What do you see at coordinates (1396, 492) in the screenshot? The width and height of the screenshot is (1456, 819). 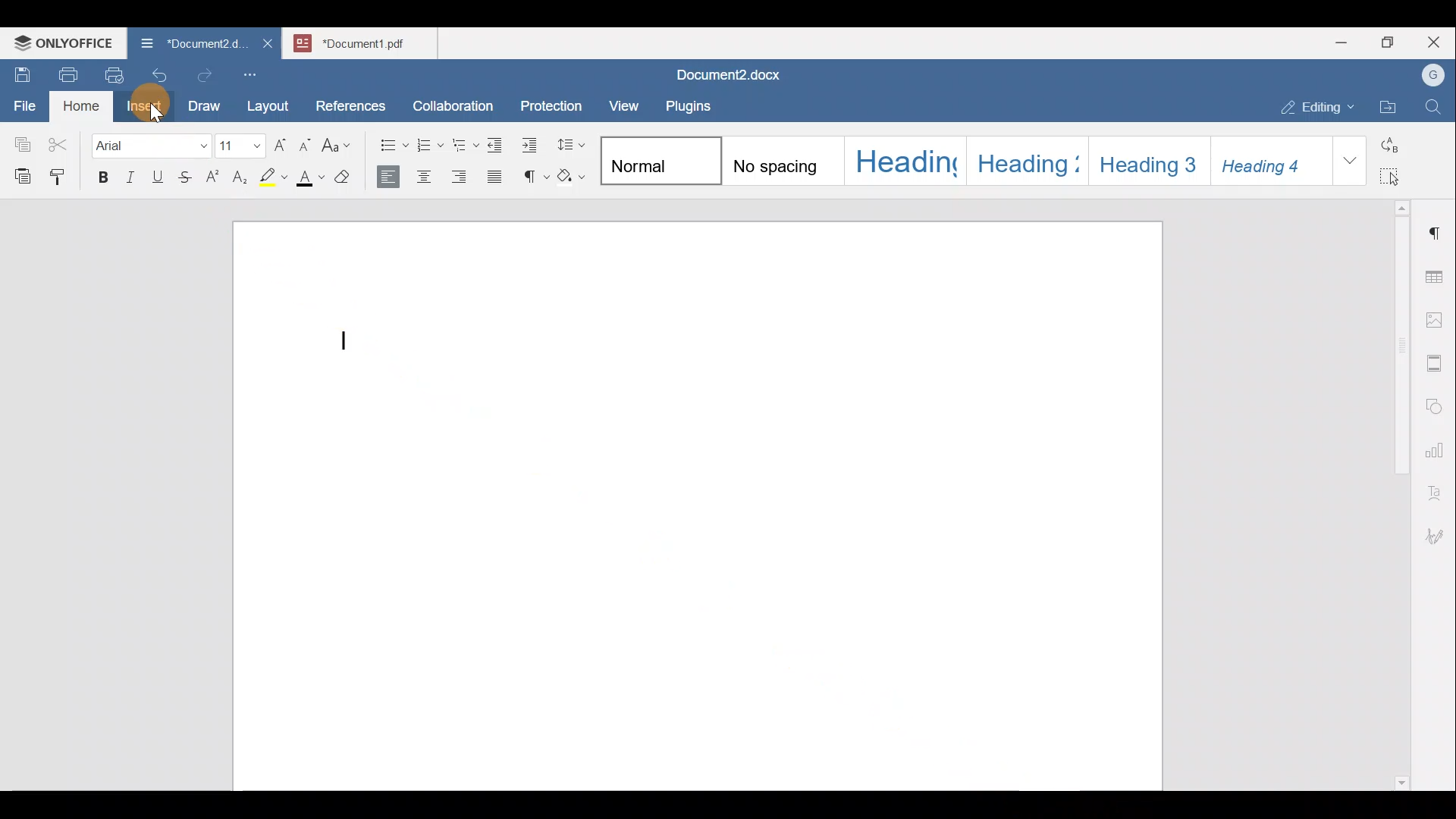 I see `Scroll bar` at bounding box center [1396, 492].